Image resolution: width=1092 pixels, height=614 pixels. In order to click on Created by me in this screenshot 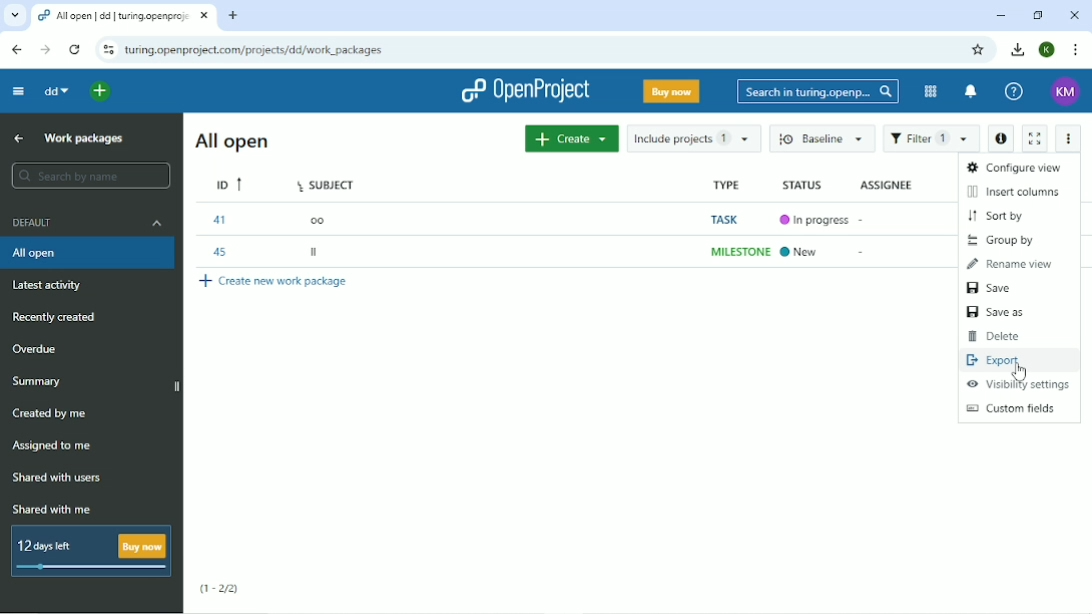, I will do `click(51, 414)`.